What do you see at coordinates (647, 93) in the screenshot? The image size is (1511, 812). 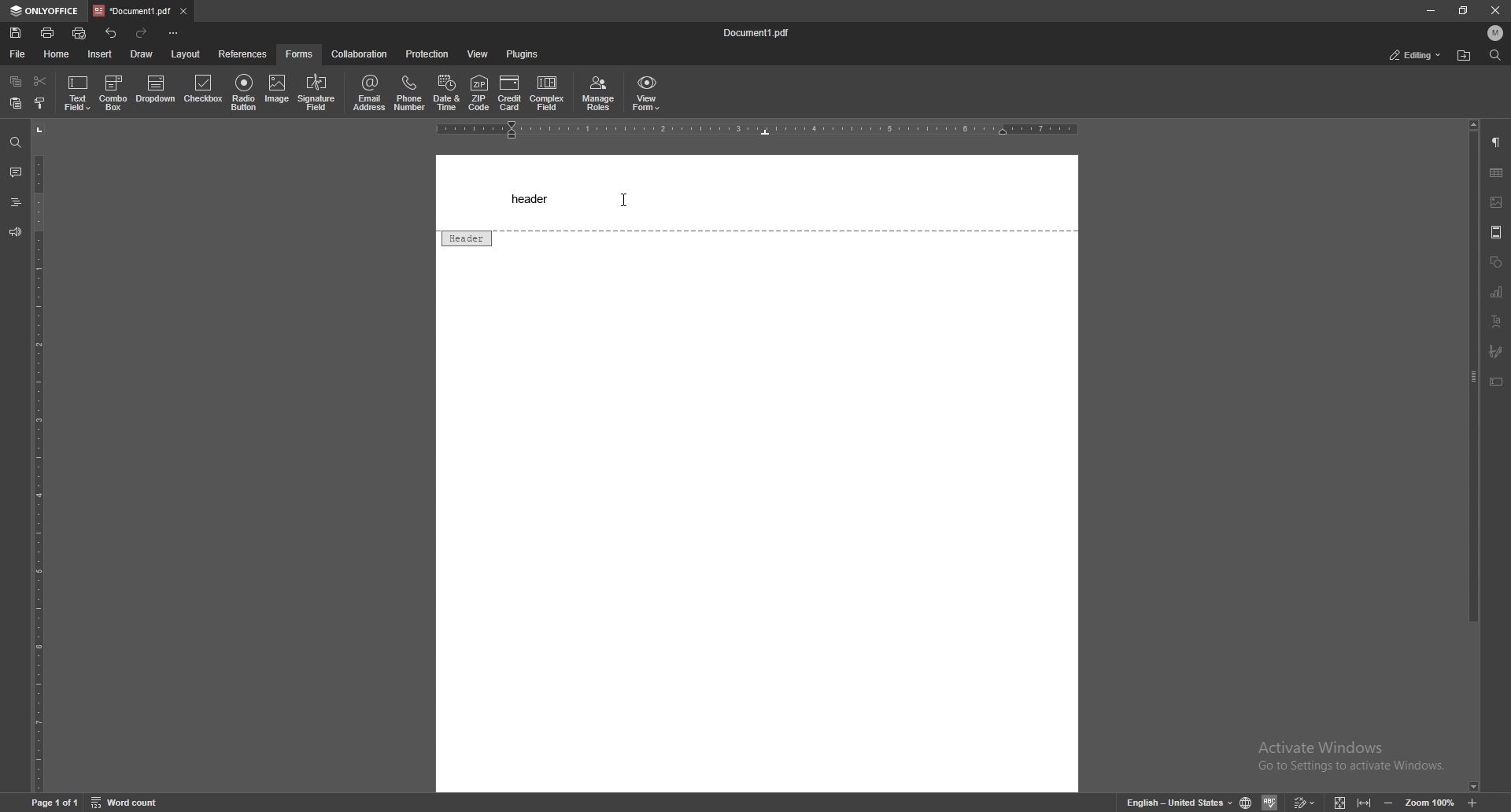 I see `view form` at bounding box center [647, 93].